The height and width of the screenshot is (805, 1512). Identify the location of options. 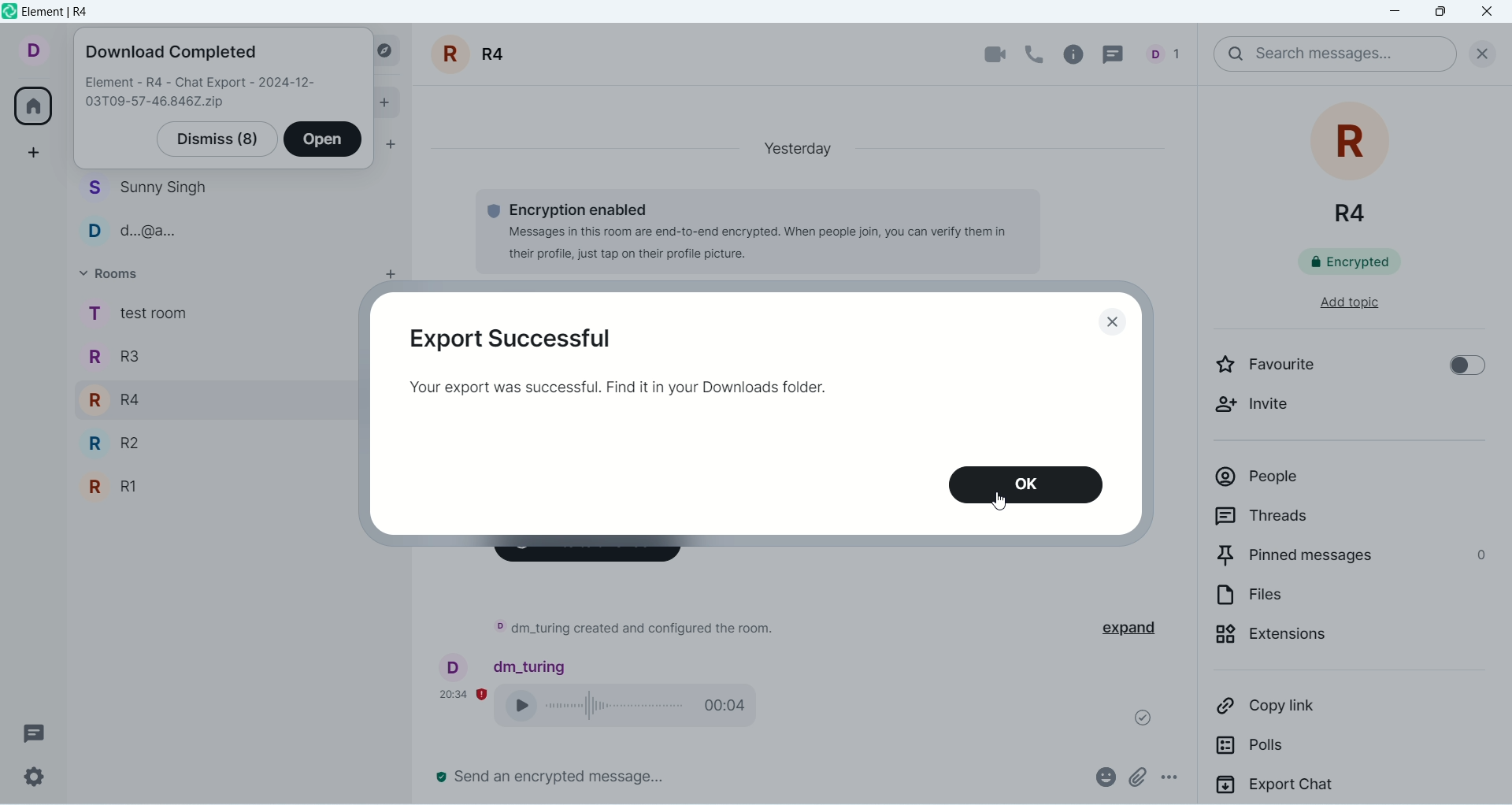
(1178, 780).